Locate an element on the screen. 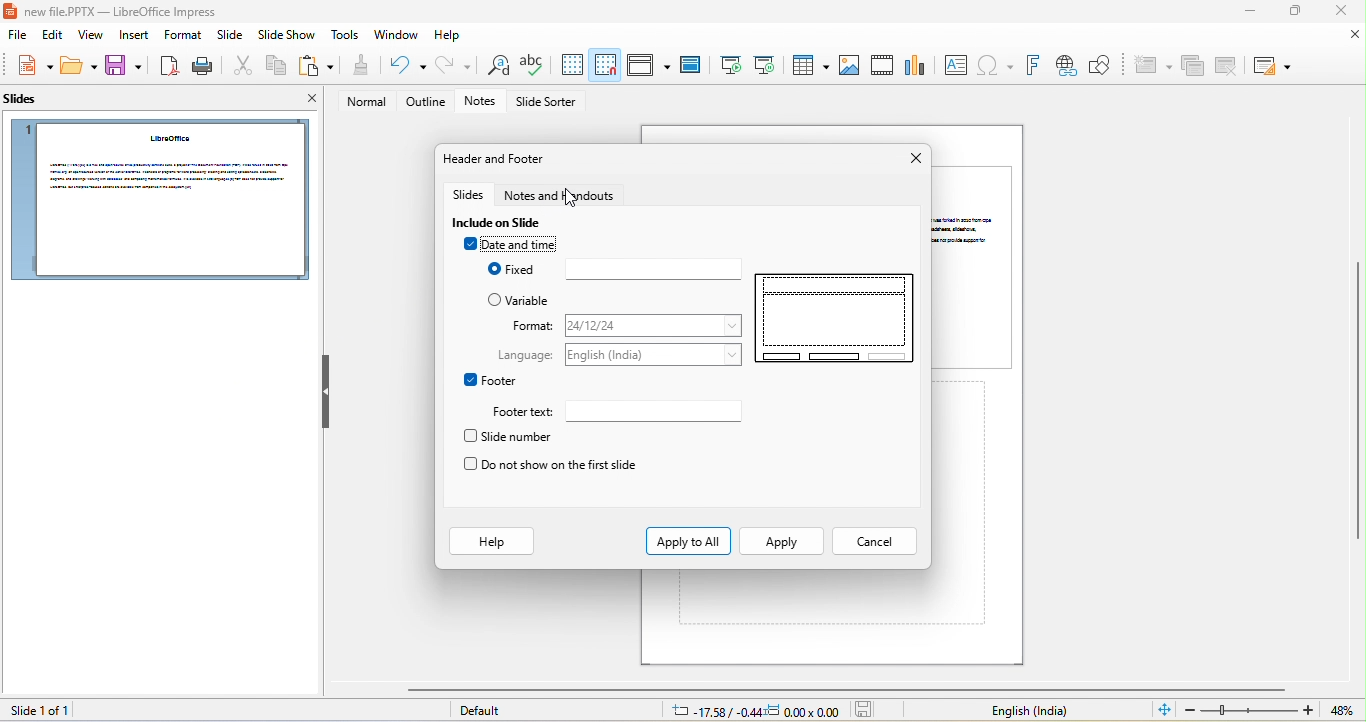 This screenshot has height=722, width=1366. save is located at coordinates (124, 67).